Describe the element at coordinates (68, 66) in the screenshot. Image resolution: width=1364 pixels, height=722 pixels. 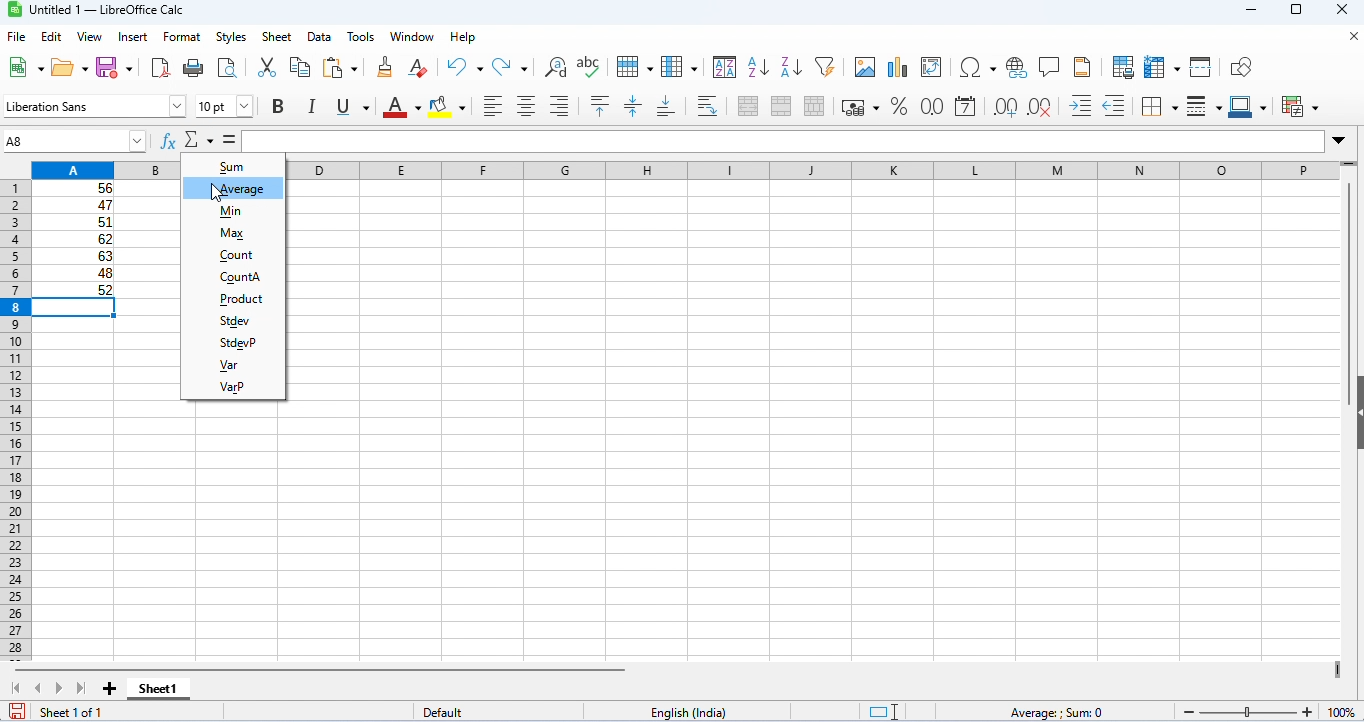
I see `open` at that location.